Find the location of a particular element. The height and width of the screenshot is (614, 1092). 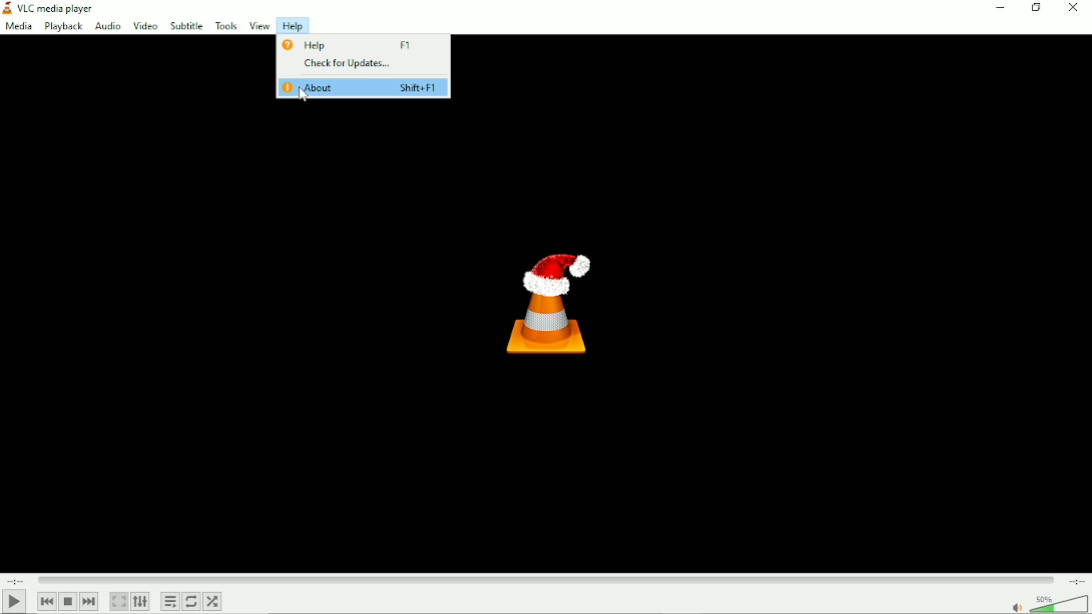

Close is located at coordinates (1074, 8).